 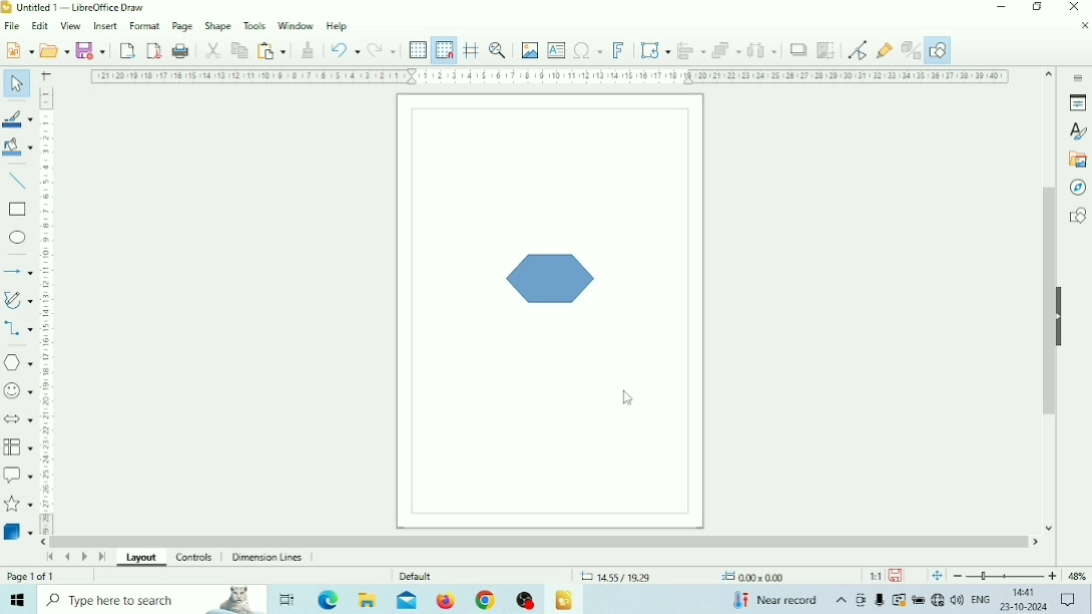 I want to click on Meet Now, so click(x=862, y=600).